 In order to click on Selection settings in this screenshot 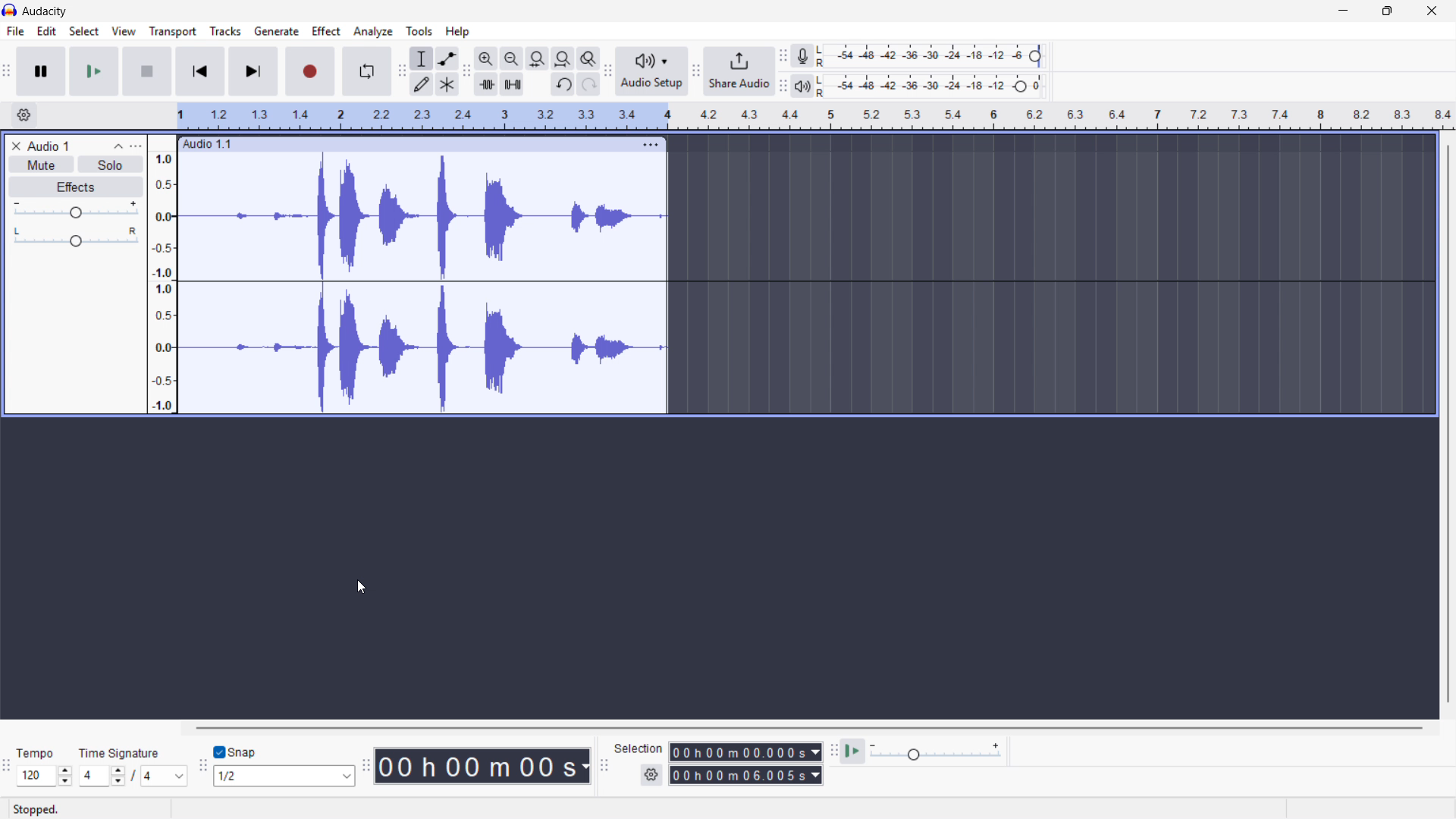, I will do `click(651, 775)`.